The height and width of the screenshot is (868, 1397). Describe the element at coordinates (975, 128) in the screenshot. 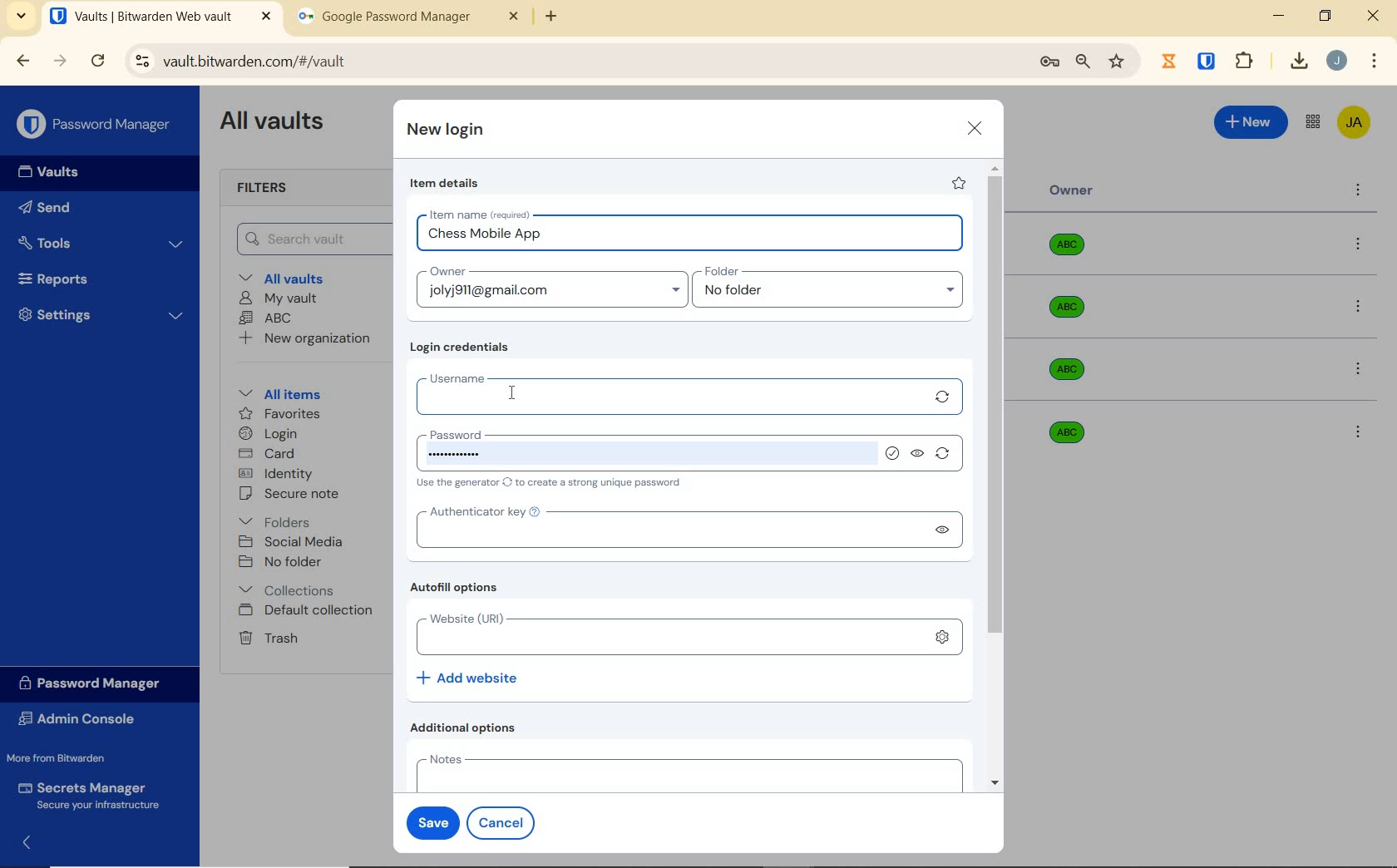

I see `close` at that location.